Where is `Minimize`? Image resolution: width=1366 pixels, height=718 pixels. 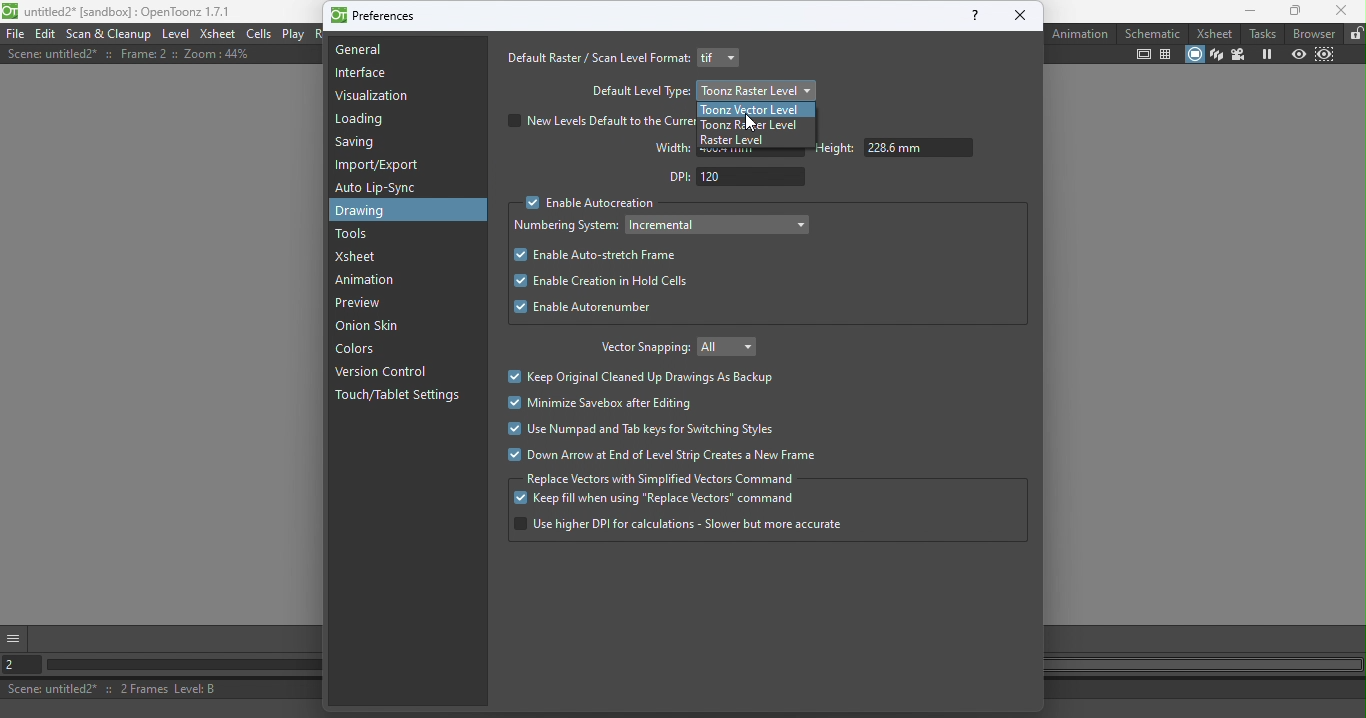 Minimize is located at coordinates (1239, 12).